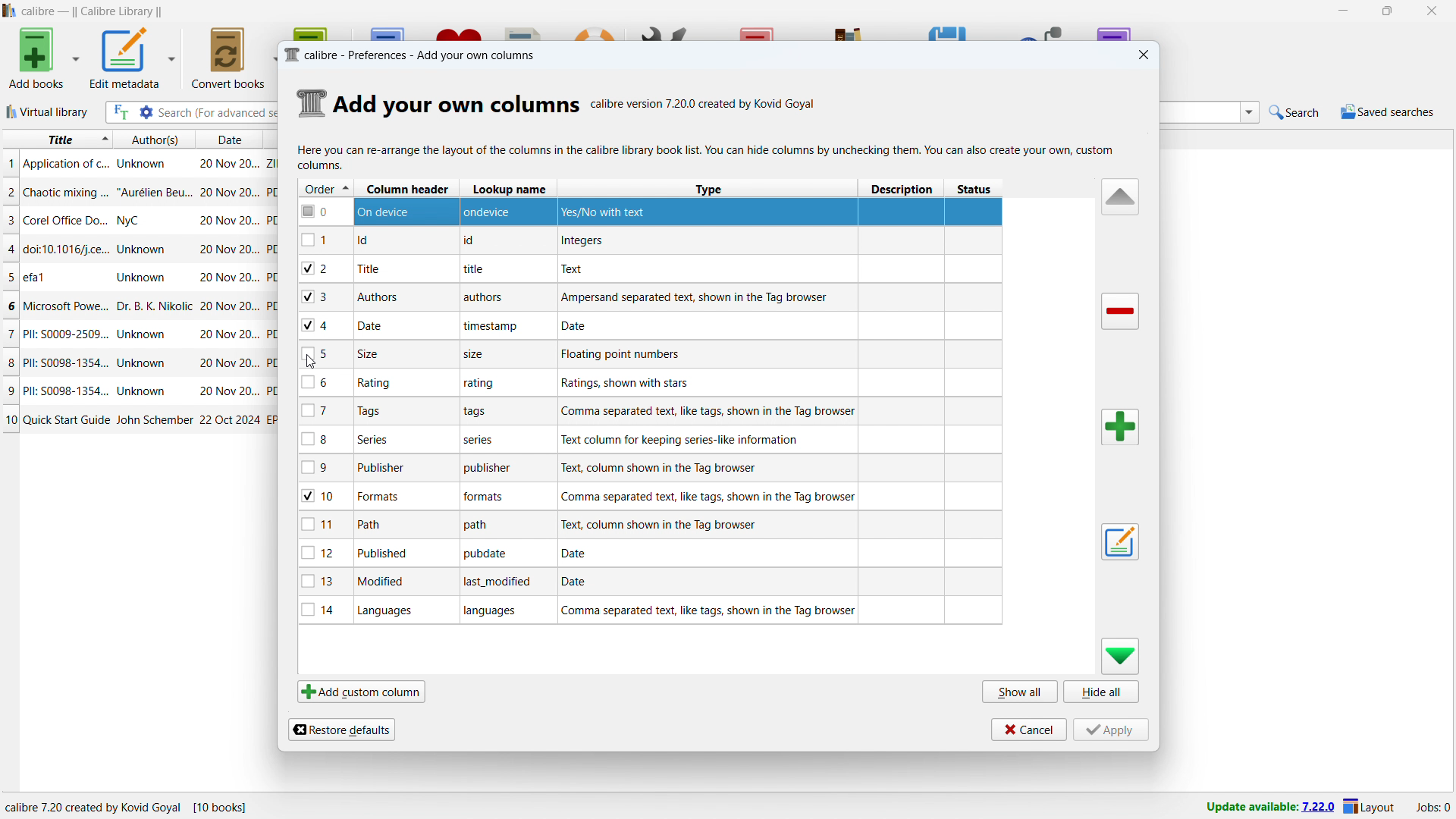 The height and width of the screenshot is (819, 1456). What do you see at coordinates (579, 582) in the screenshot?
I see `Date` at bounding box center [579, 582].